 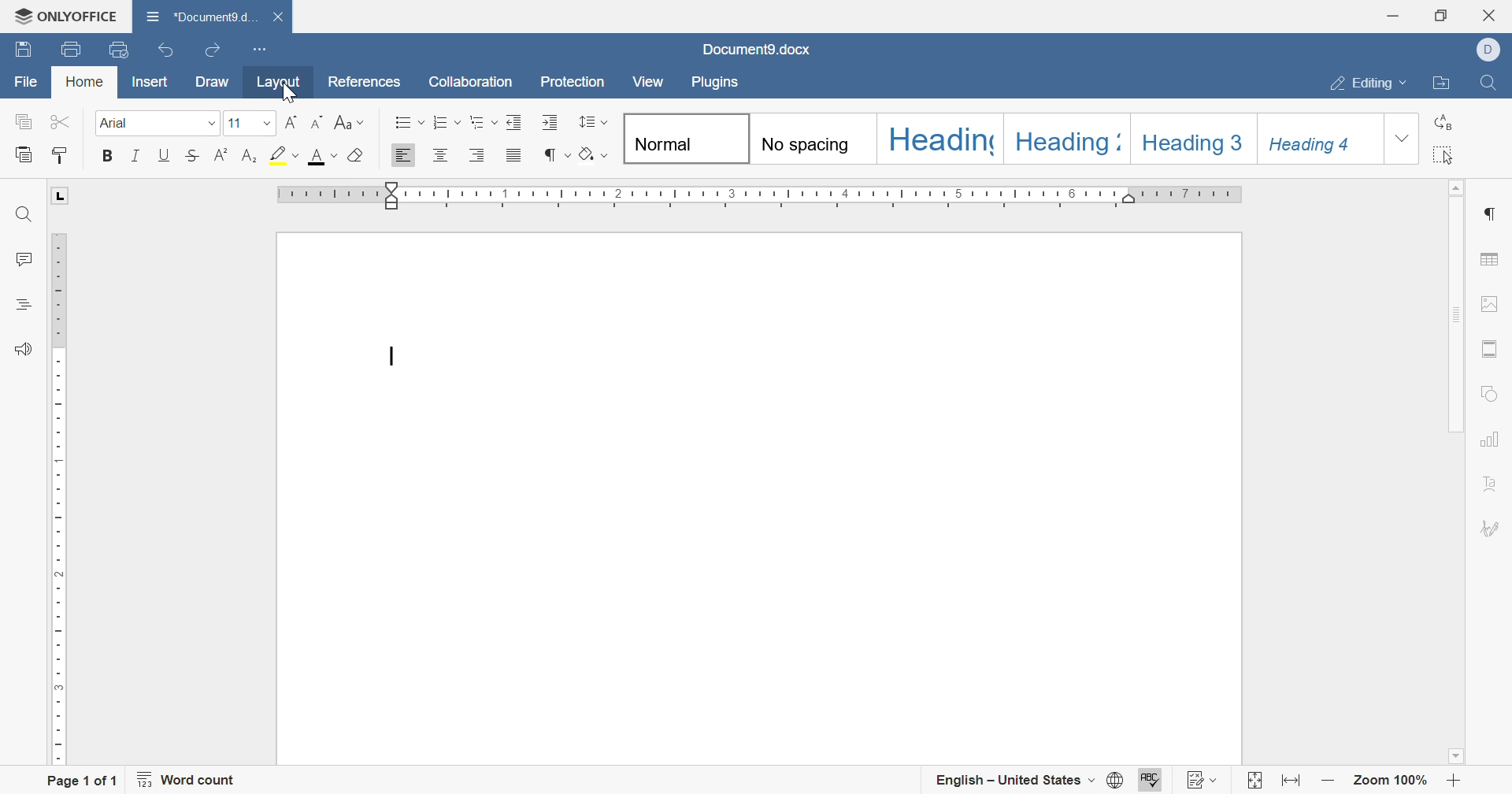 I want to click on find, so click(x=24, y=215).